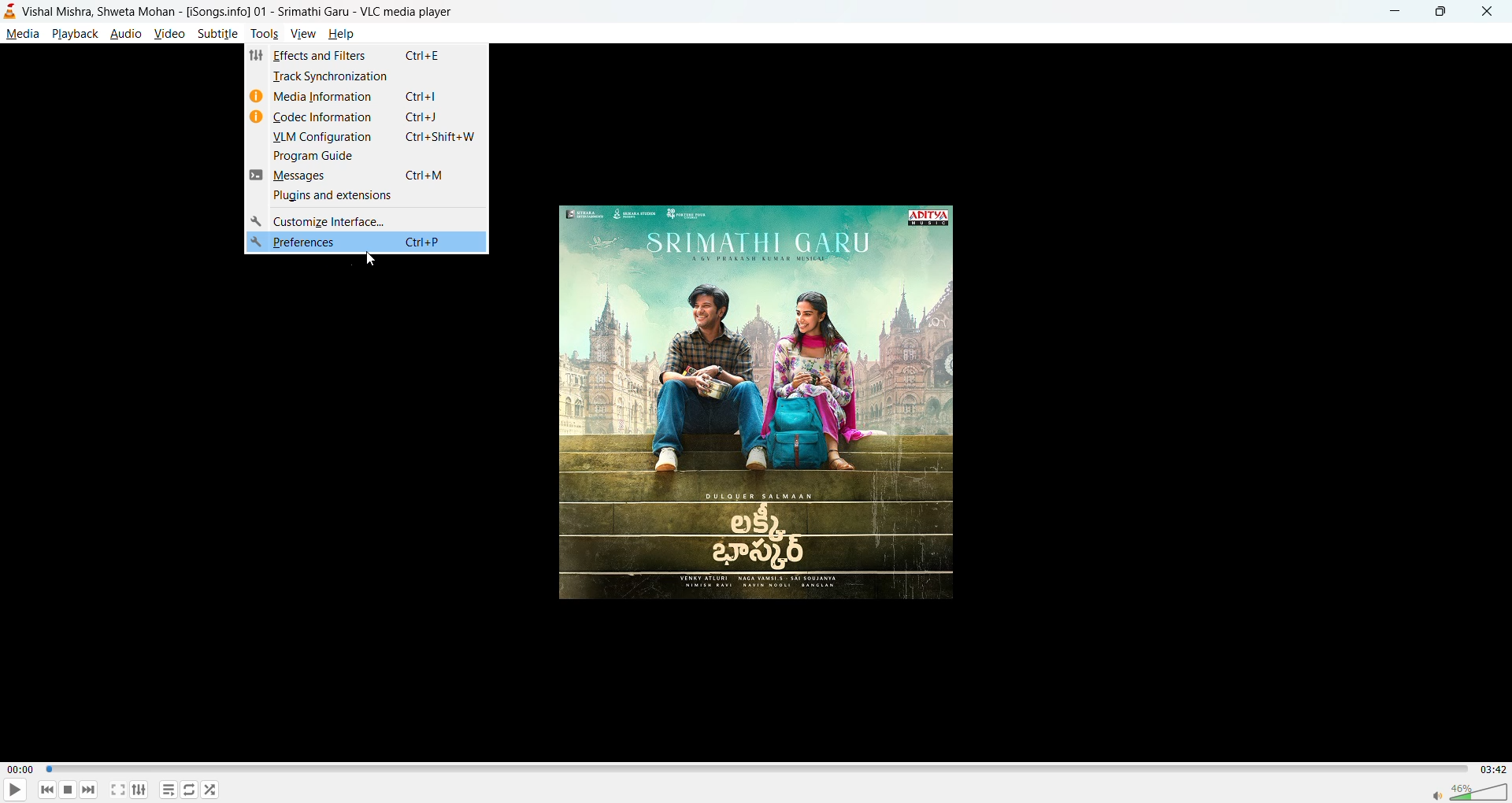  What do you see at coordinates (1490, 769) in the screenshot?
I see `03:42` at bounding box center [1490, 769].